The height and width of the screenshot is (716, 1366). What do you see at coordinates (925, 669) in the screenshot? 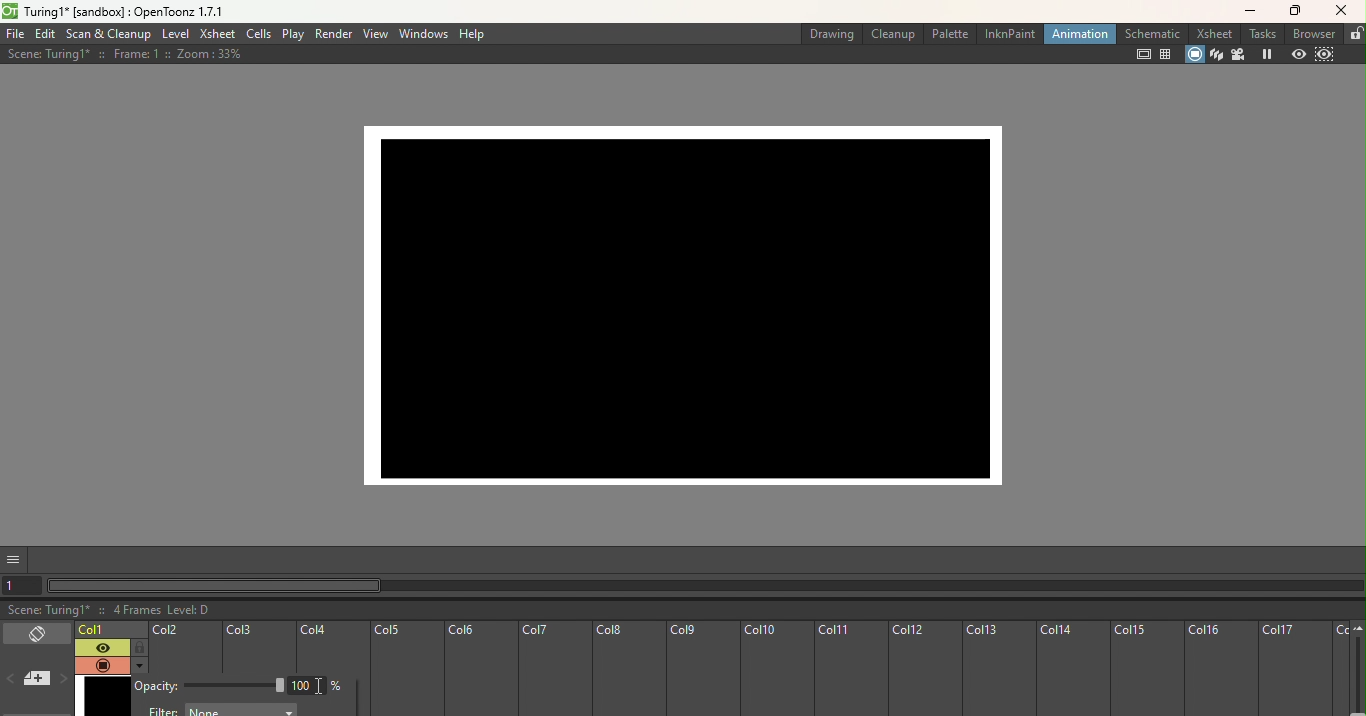
I see `Col12` at bounding box center [925, 669].